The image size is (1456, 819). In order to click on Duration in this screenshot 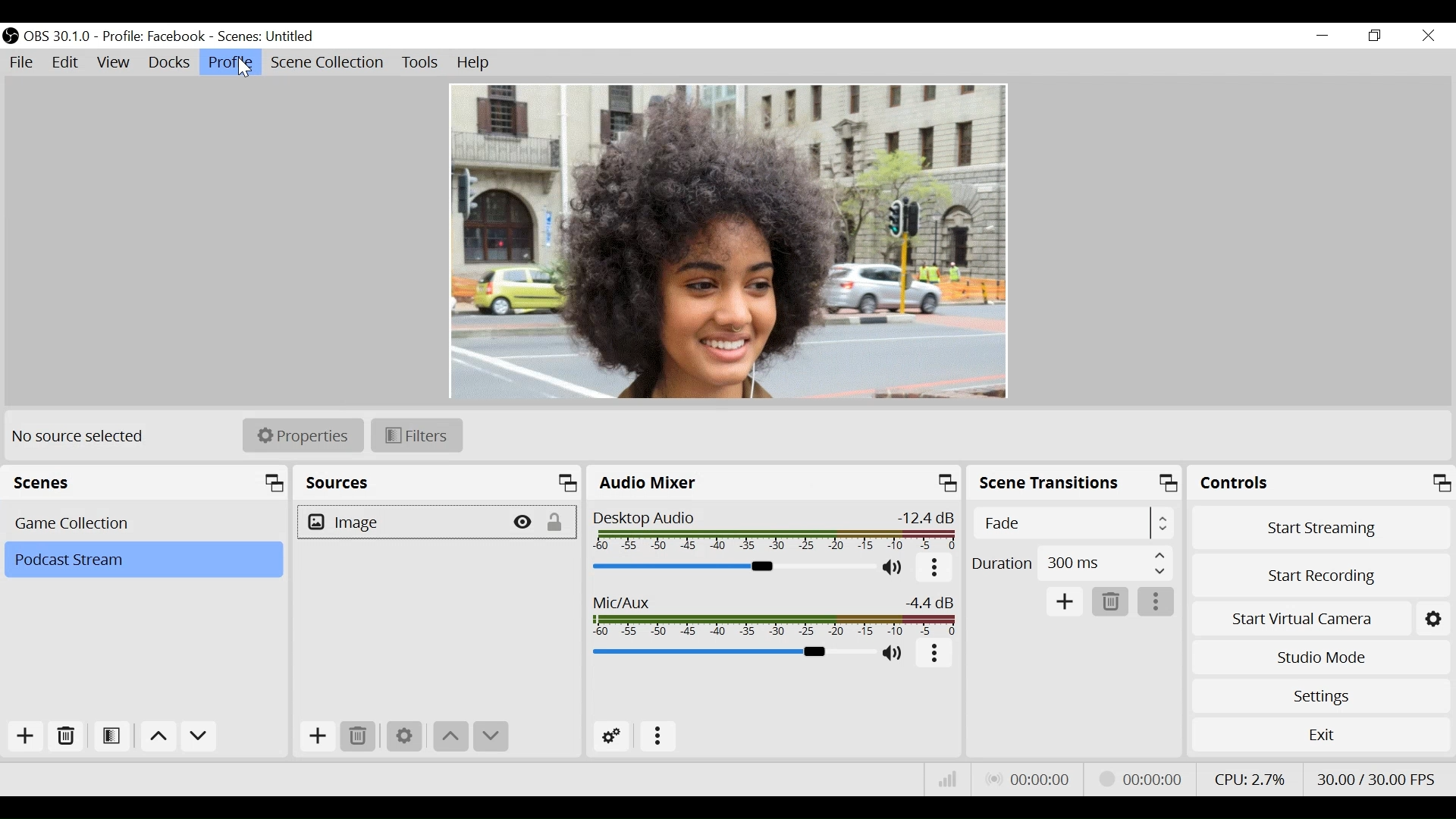, I will do `click(1072, 566)`.